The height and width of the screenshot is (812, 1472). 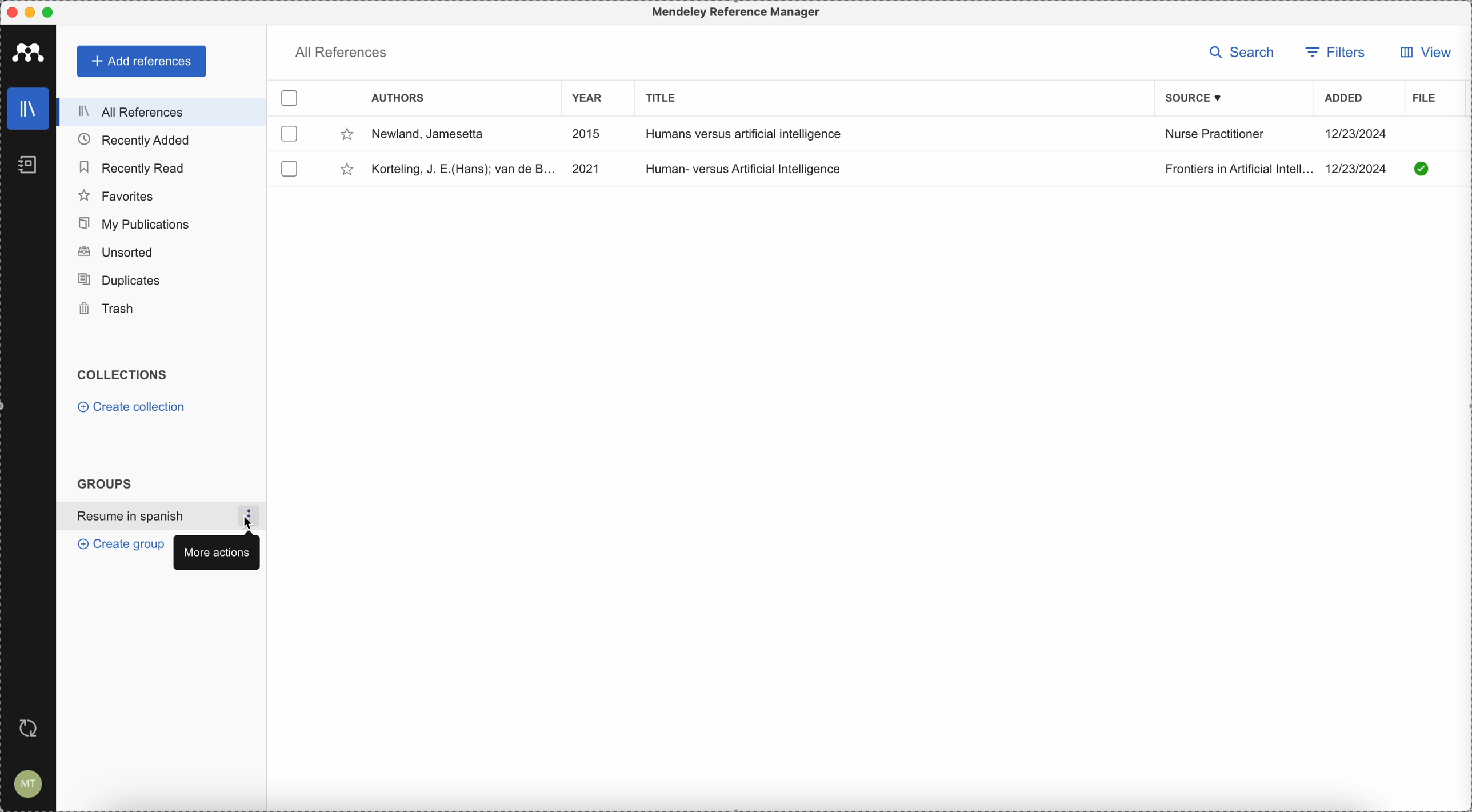 What do you see at coordinates (126, 279) in the screenshot?
I see `duplicates` at bounding box center [126, 279].